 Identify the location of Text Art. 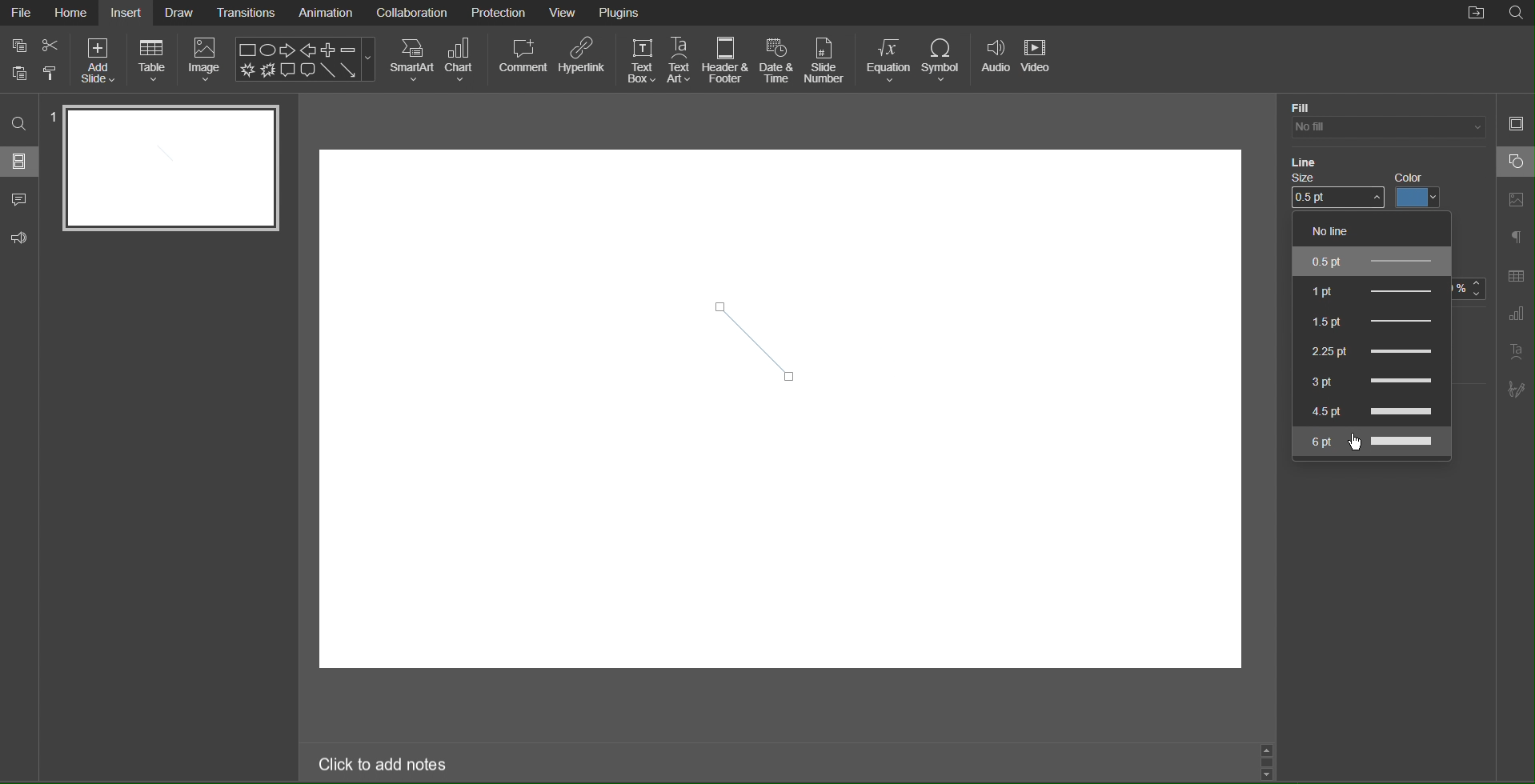
(680, 60).